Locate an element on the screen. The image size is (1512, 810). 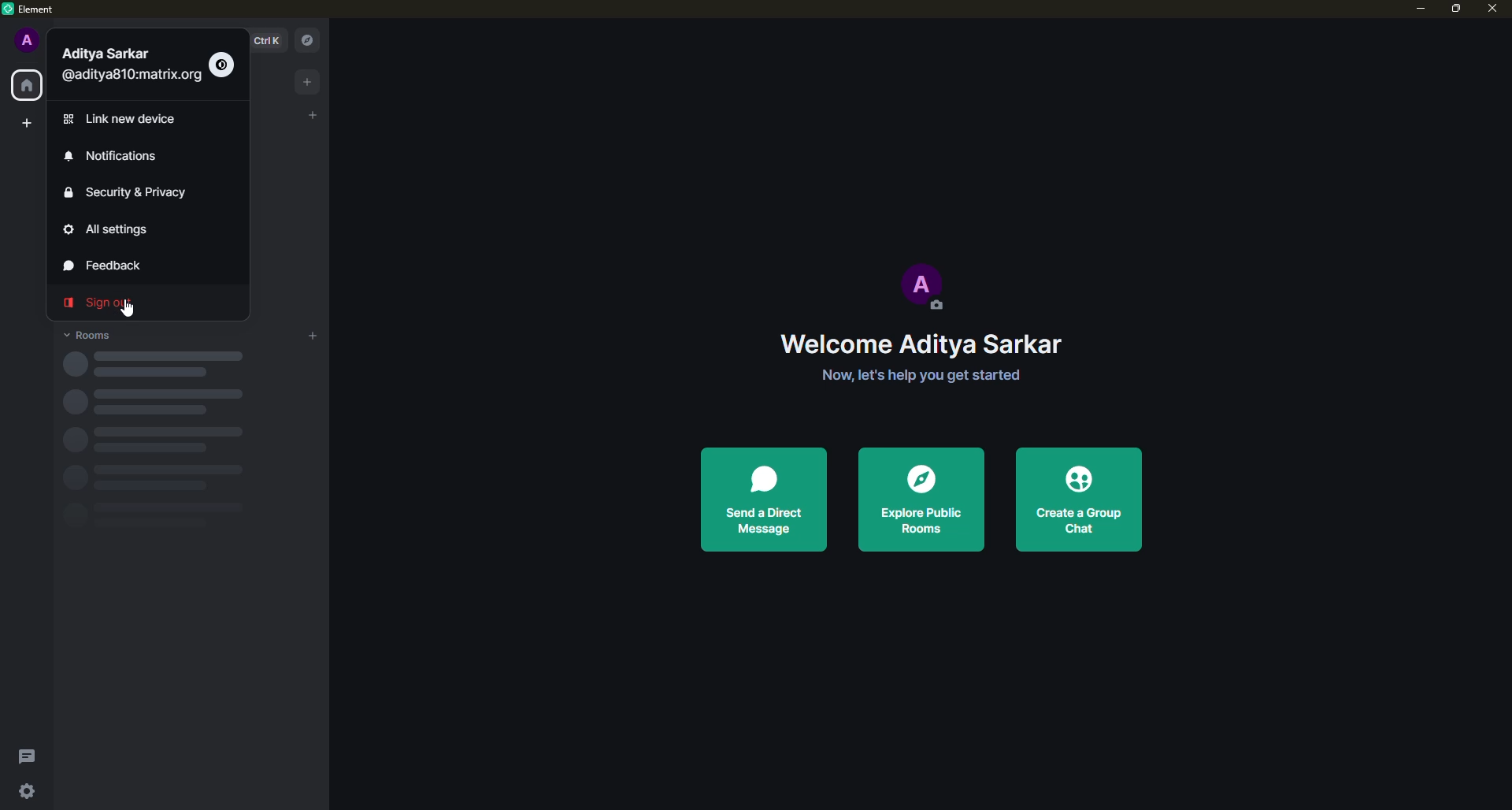
link new device is located at coordinates (124, 121).